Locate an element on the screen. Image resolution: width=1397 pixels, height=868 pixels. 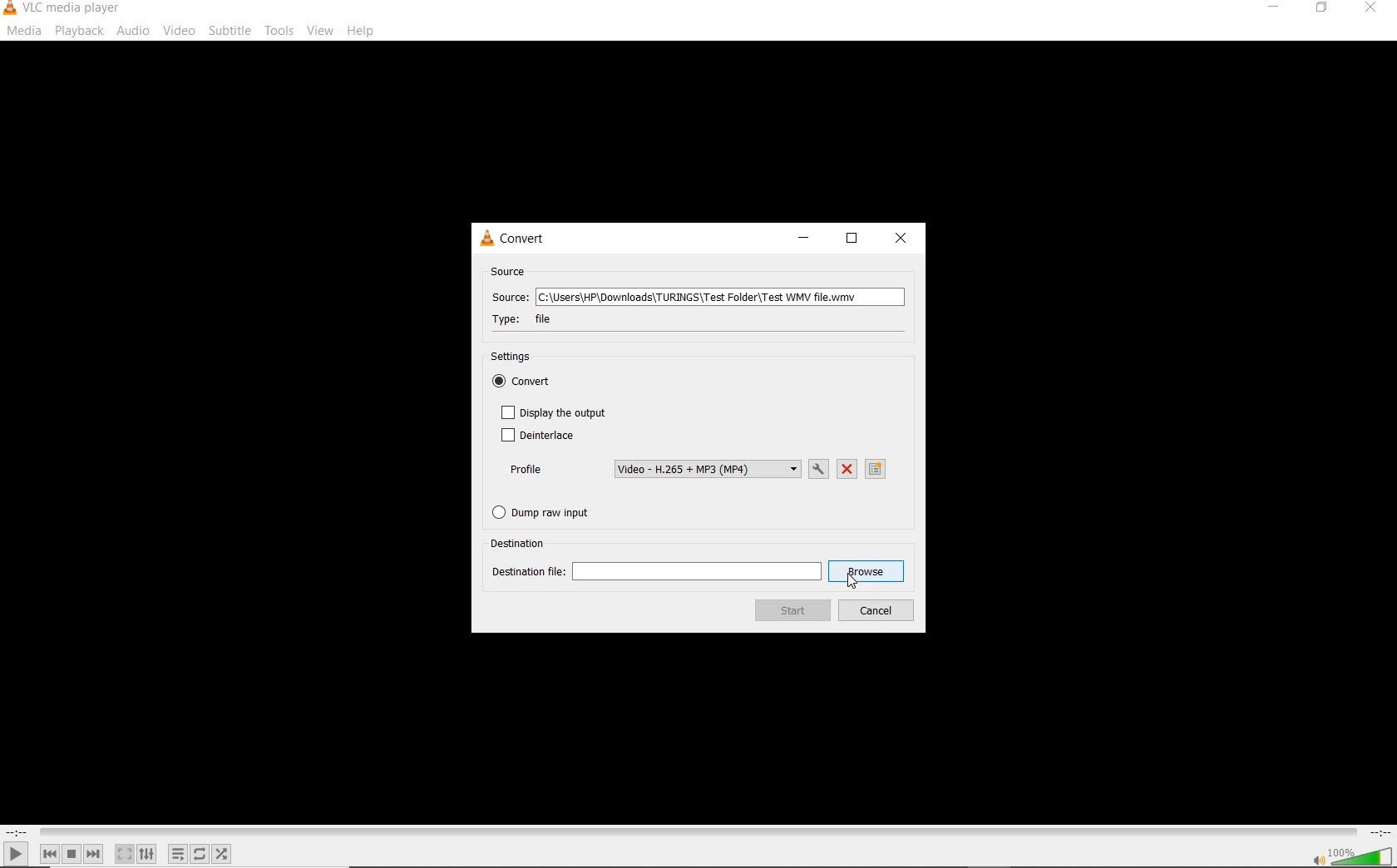
cancel is located at coordinates (876, 611).